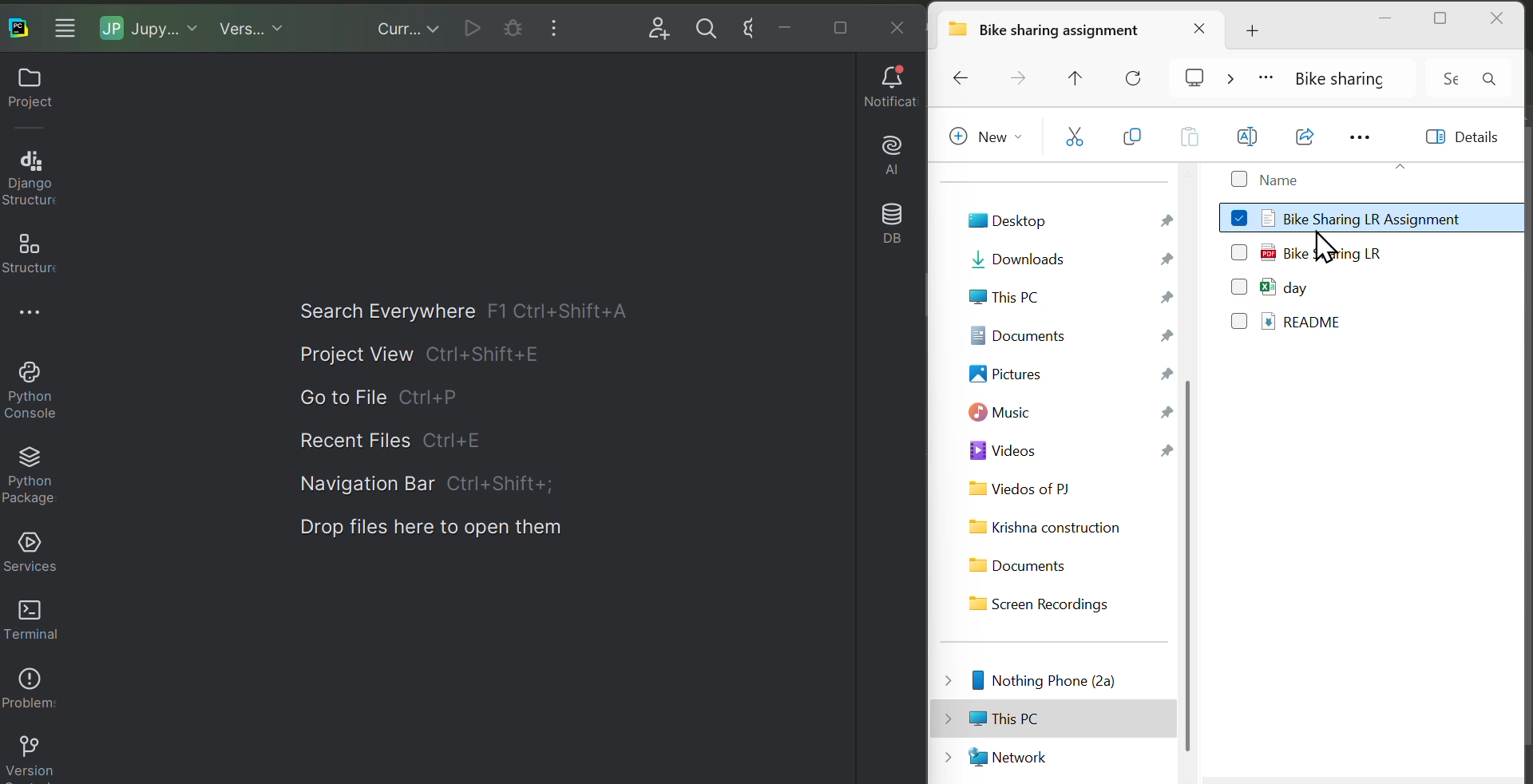 The height and width of the screenshot is (784, 1533). I want to click on Krishna construction, so click(1048, 529).